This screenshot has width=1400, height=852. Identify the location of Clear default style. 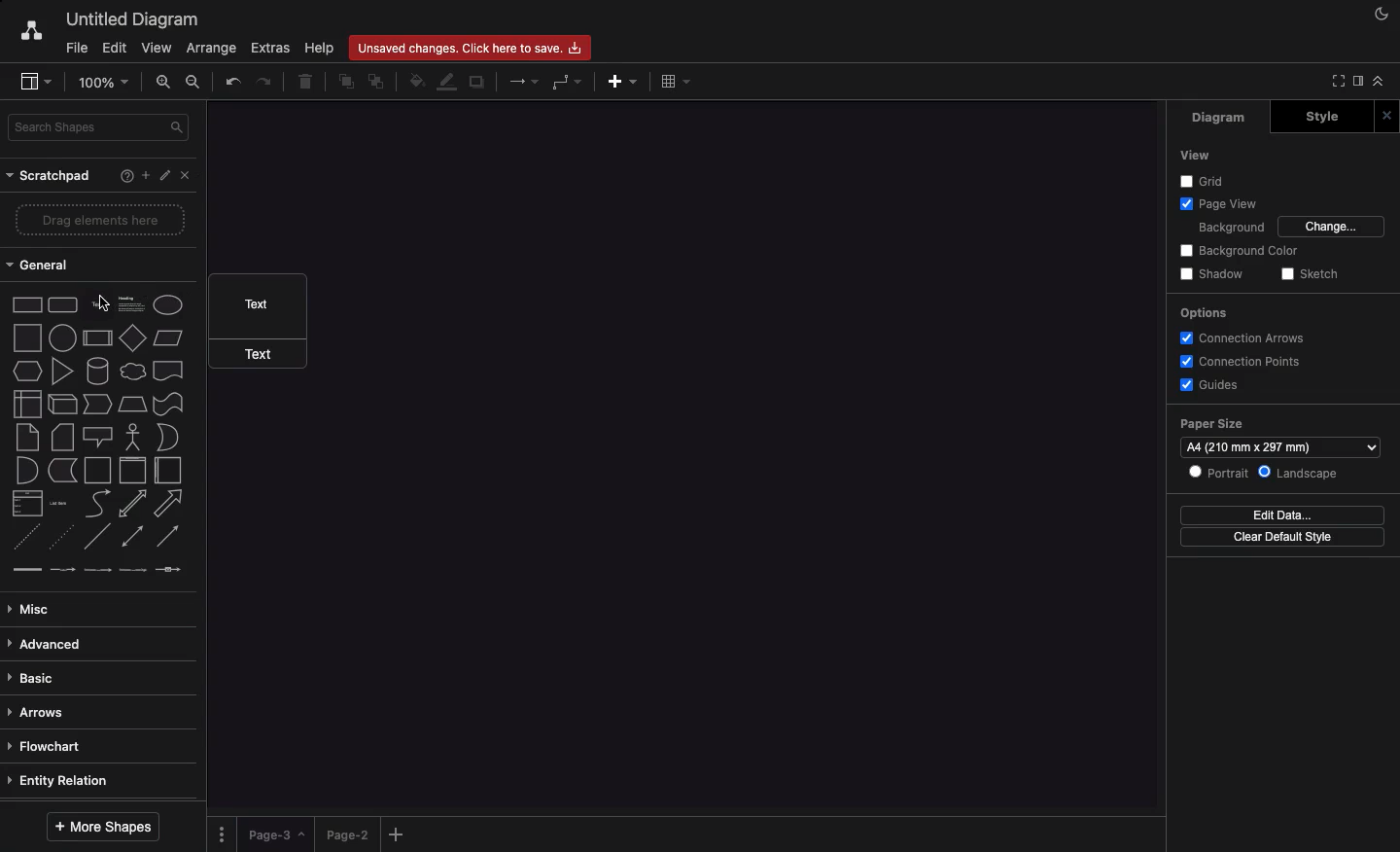
(1288, 537).